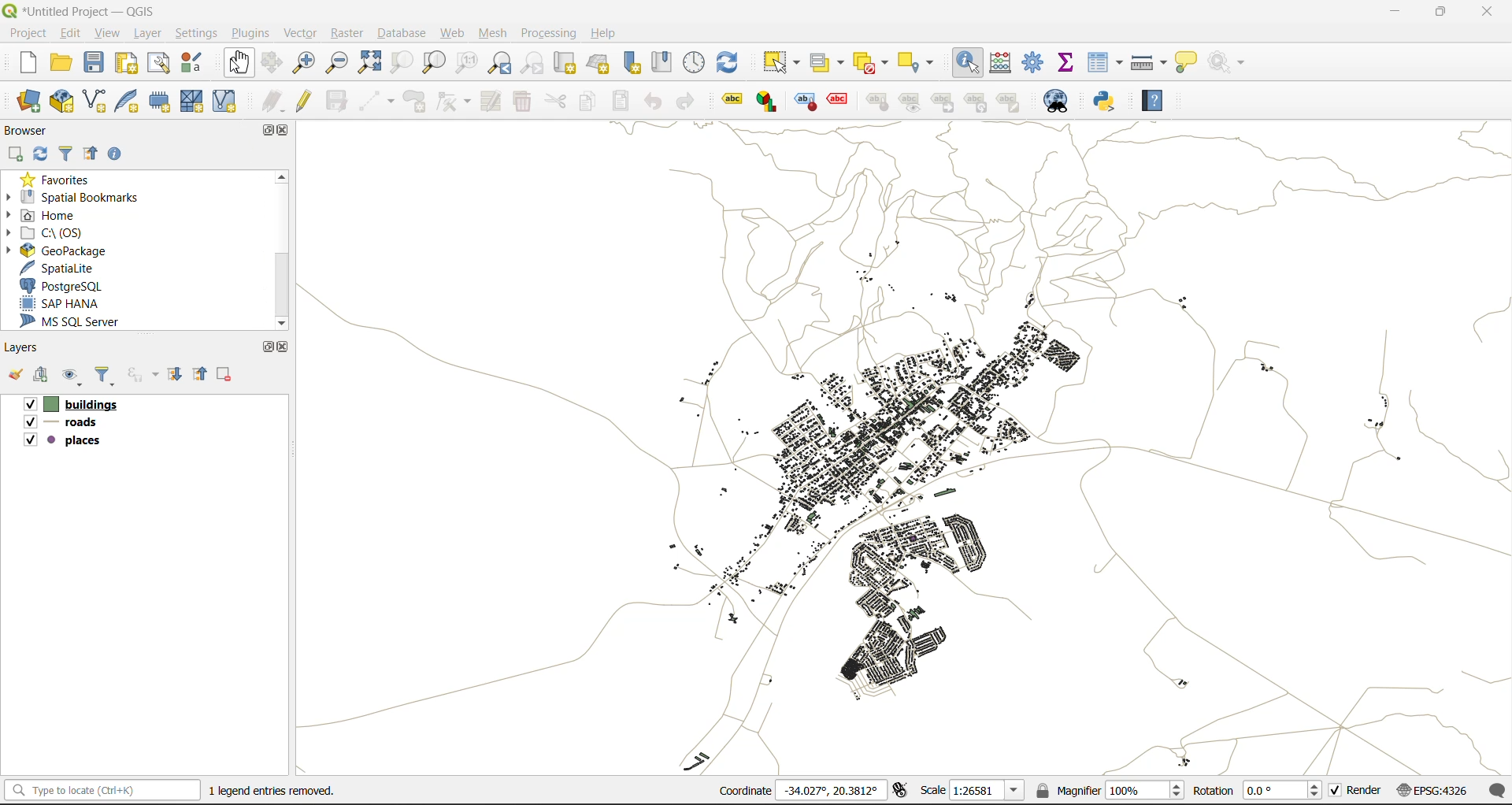 This screenshot has height=805, width=1512. I want to click on Hierarchy, so click(979, 102).